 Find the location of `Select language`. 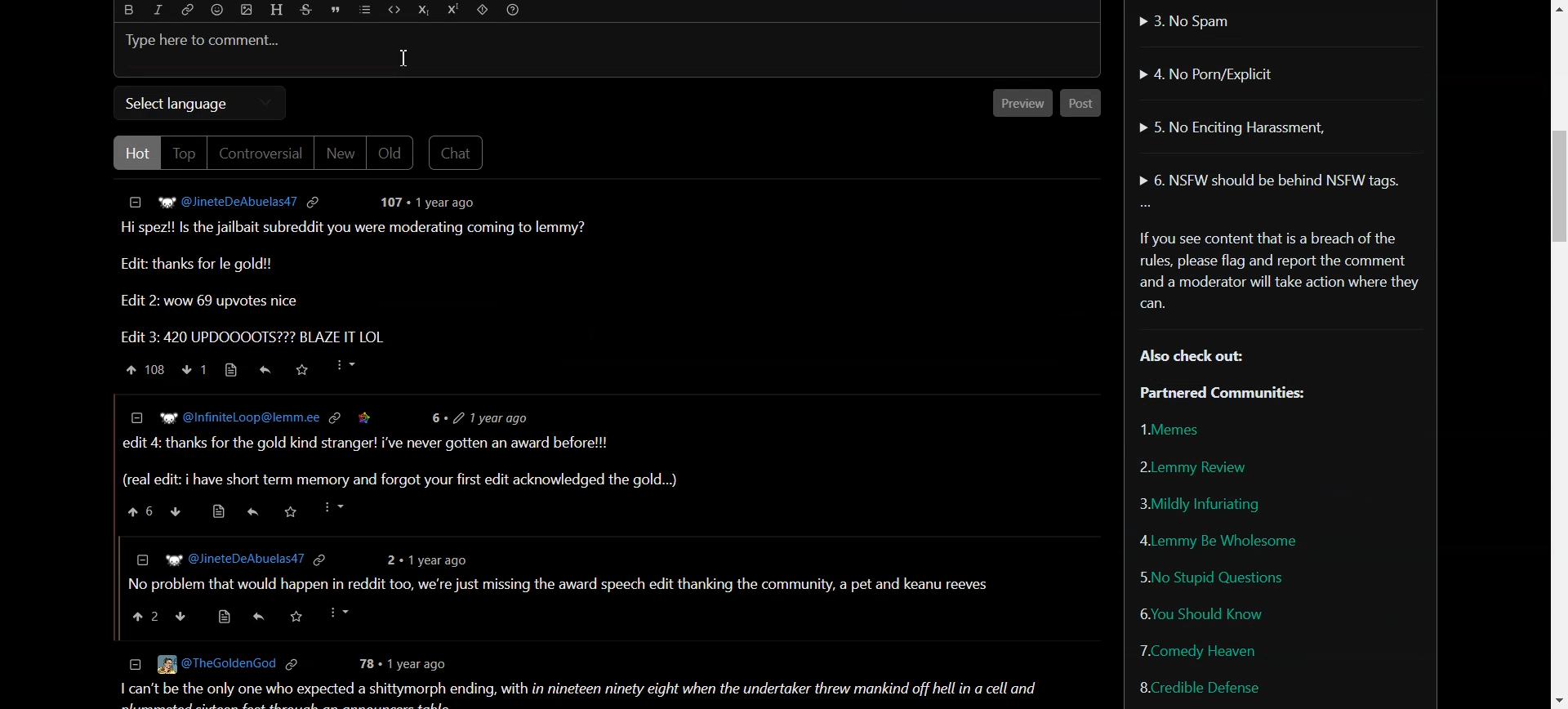

Select language is located at coordinates (201, 100).